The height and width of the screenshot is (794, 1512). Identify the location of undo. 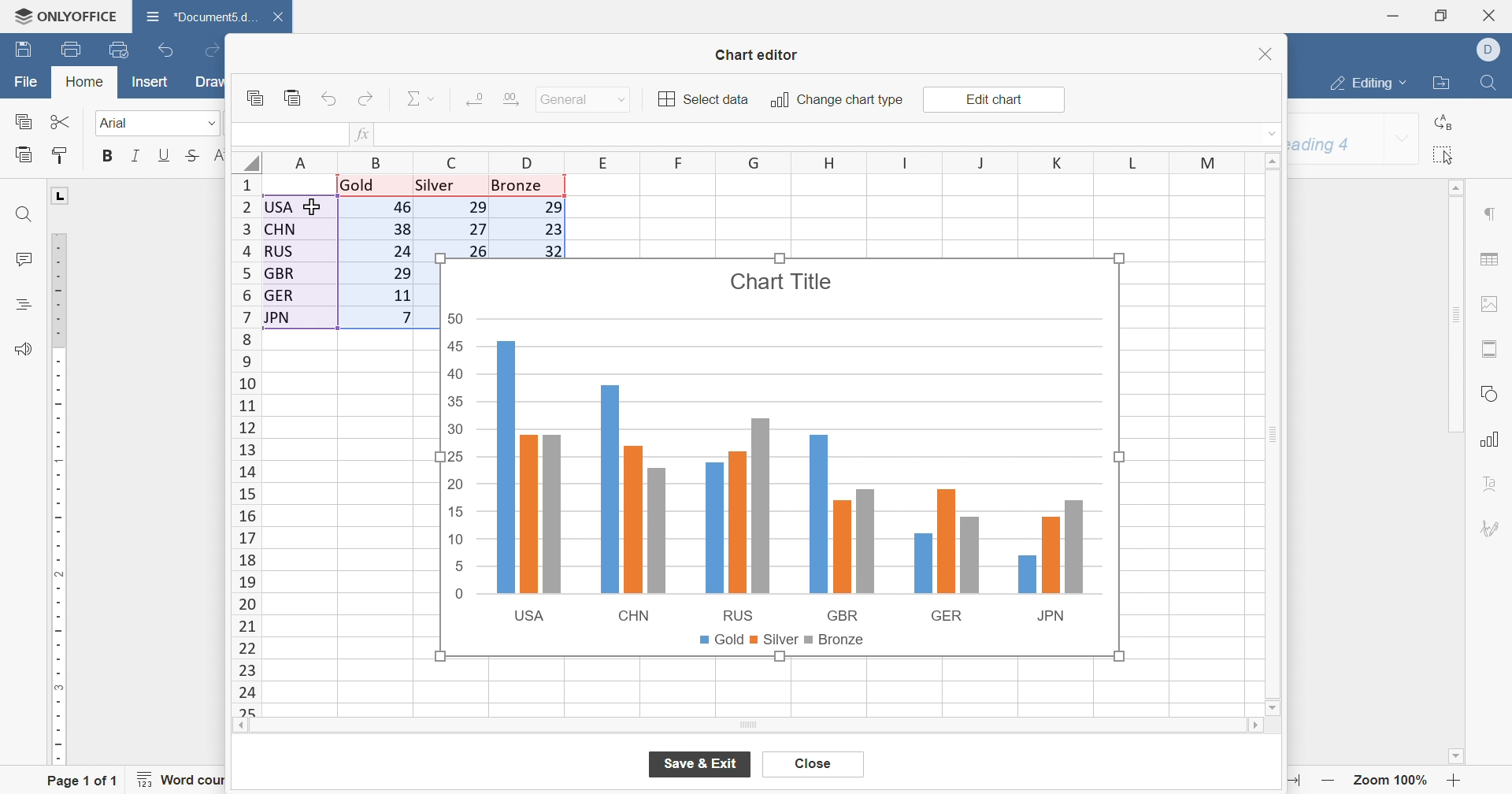
(168, 49).